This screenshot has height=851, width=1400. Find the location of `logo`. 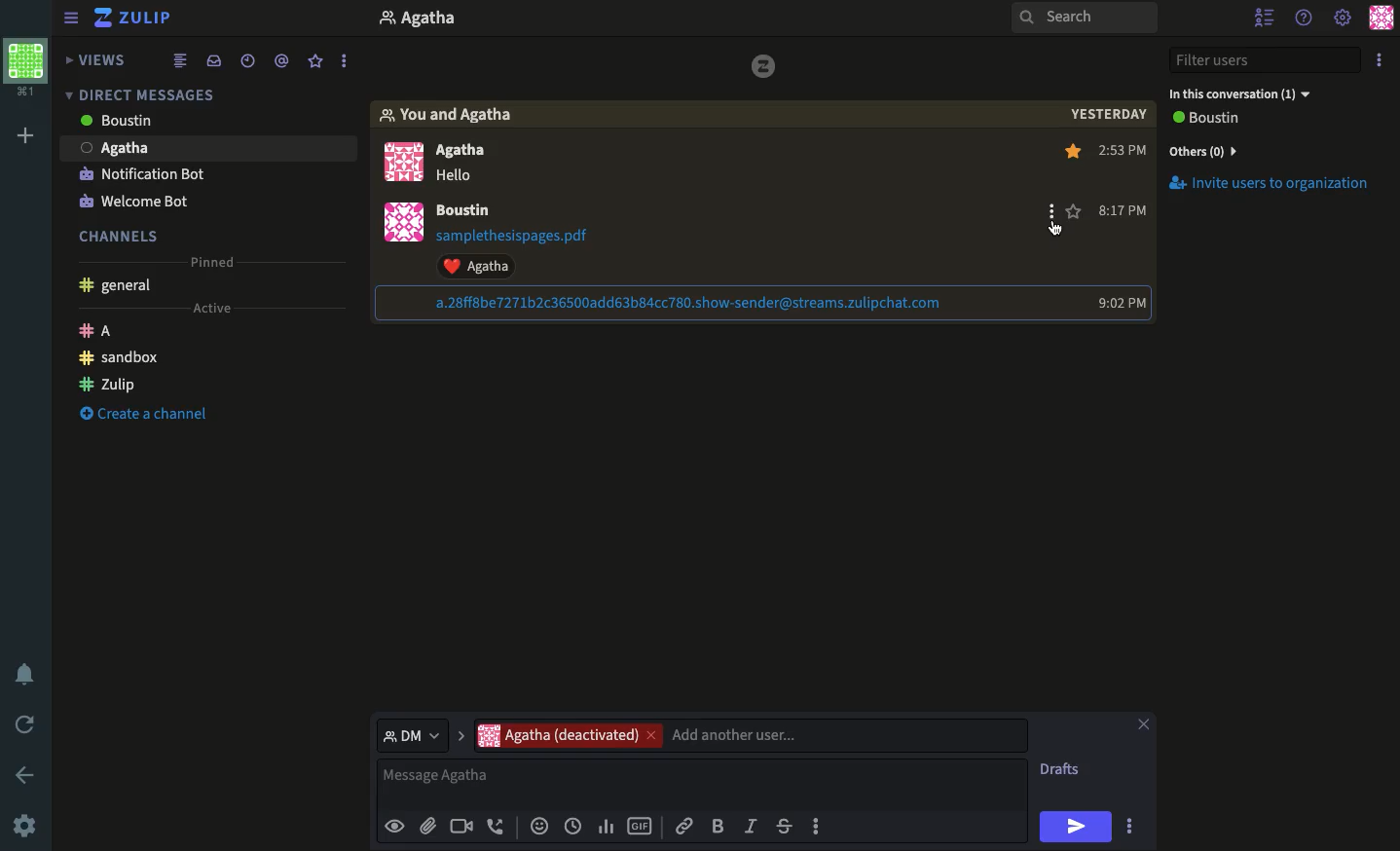

logo is located at coordinates (759, 71).